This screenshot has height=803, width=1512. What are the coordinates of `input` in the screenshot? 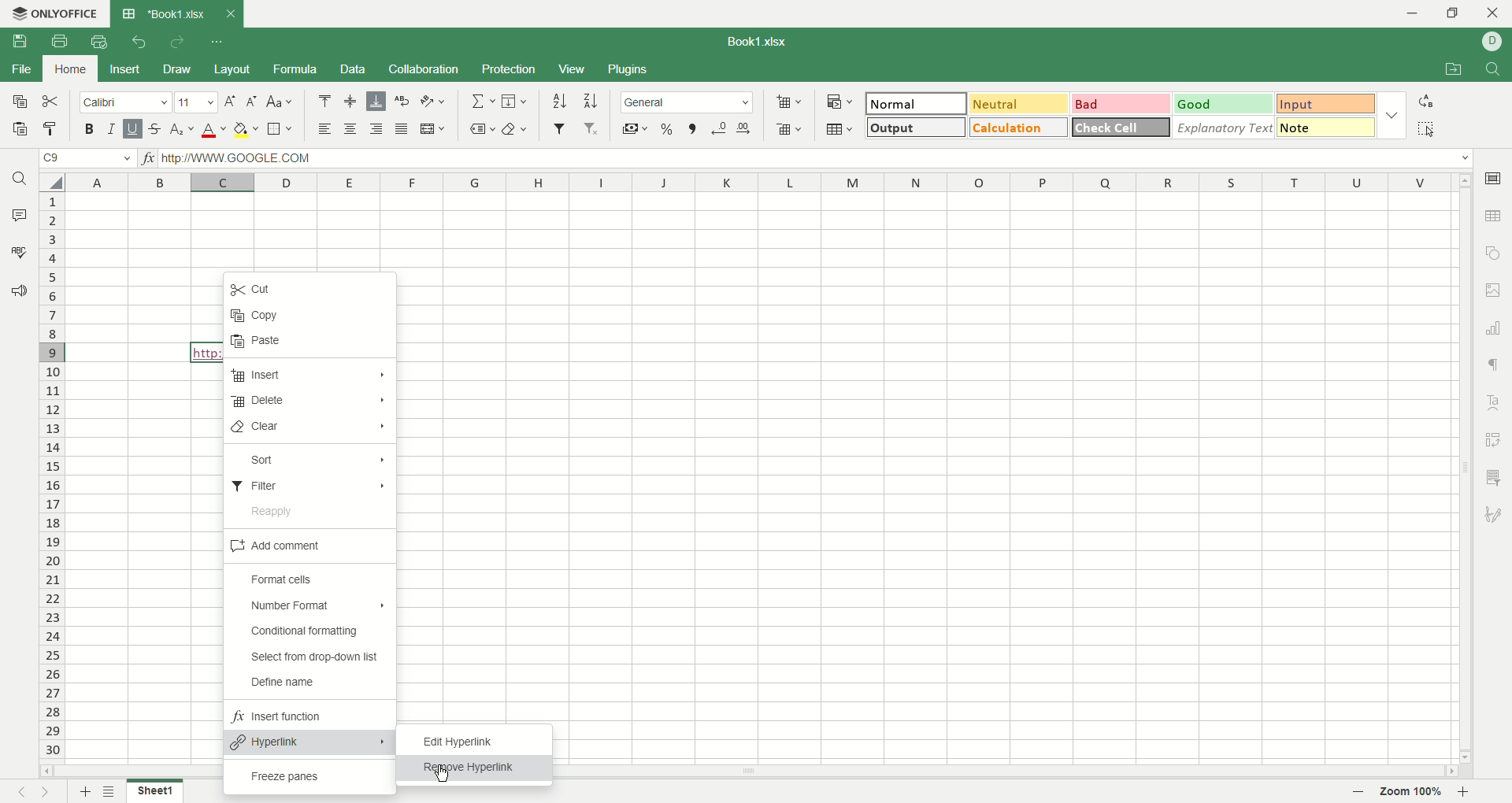 It's located at (1324, 105).